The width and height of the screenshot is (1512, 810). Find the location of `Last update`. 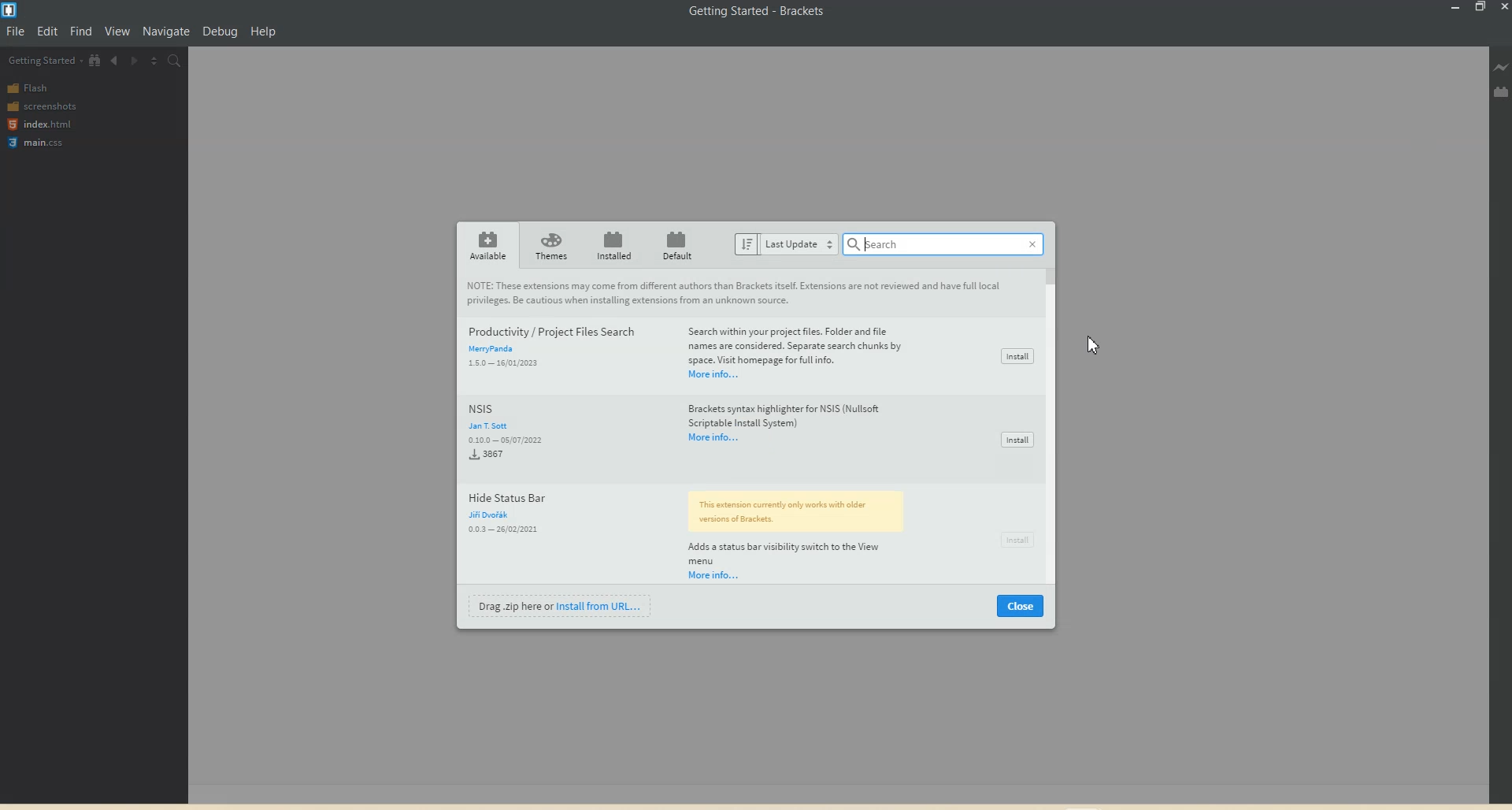

Last update is located at coordinates (785, 243).